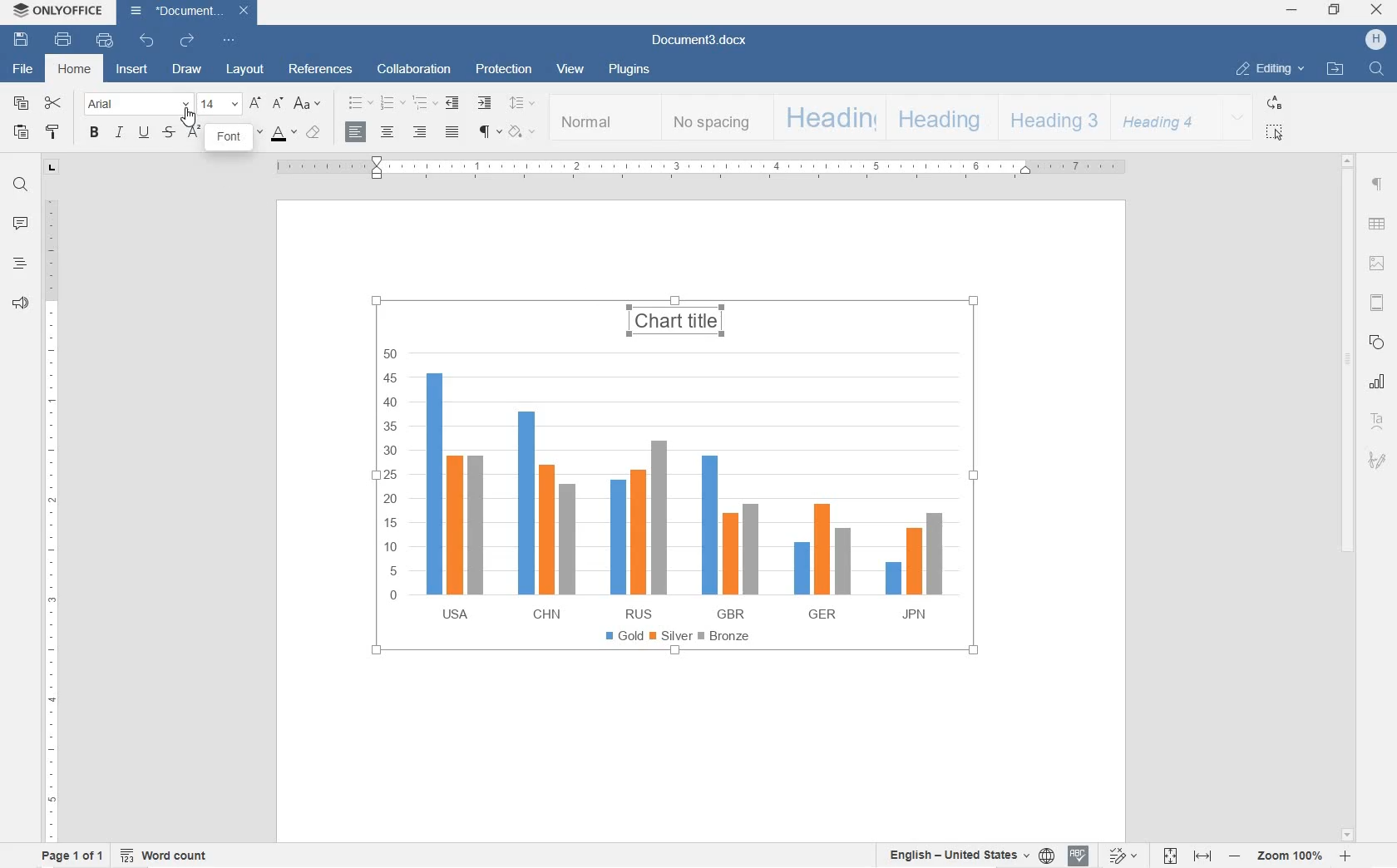 Image resolution: width=1397 pixels, height=868 pixels. What do you see at coordinates (521, 104) in the screenshot?
I see `PARAGRAPH LINE SPACING` at bounding box center [521, 104].